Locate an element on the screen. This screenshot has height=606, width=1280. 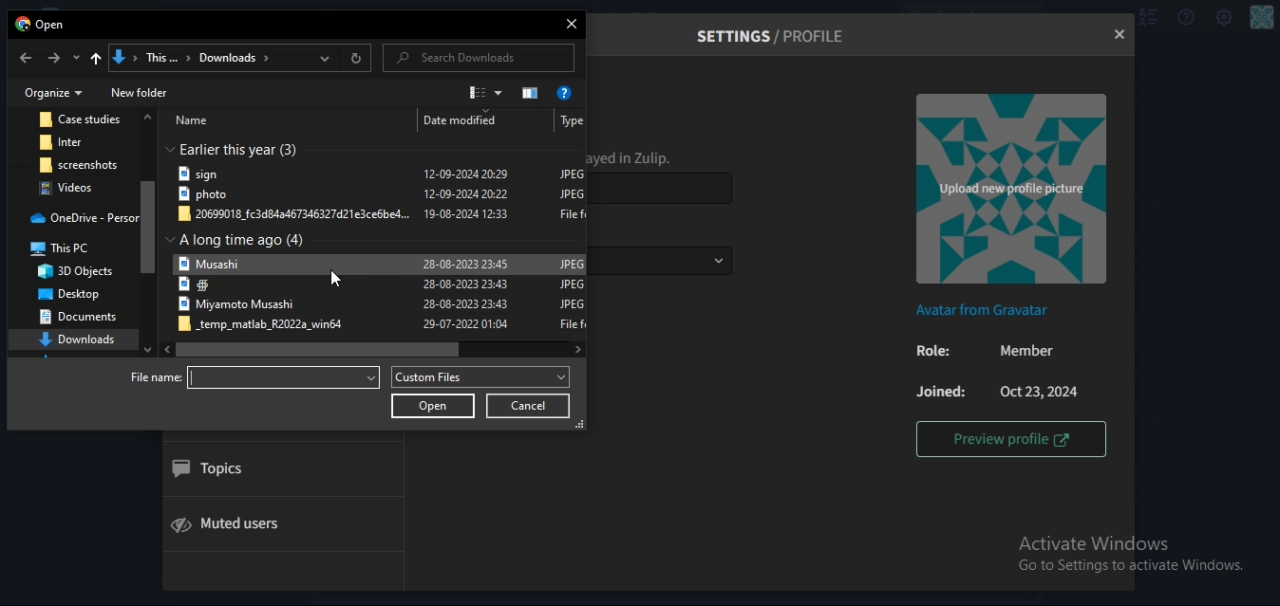
onedrive is located at coordinates (84, 219).